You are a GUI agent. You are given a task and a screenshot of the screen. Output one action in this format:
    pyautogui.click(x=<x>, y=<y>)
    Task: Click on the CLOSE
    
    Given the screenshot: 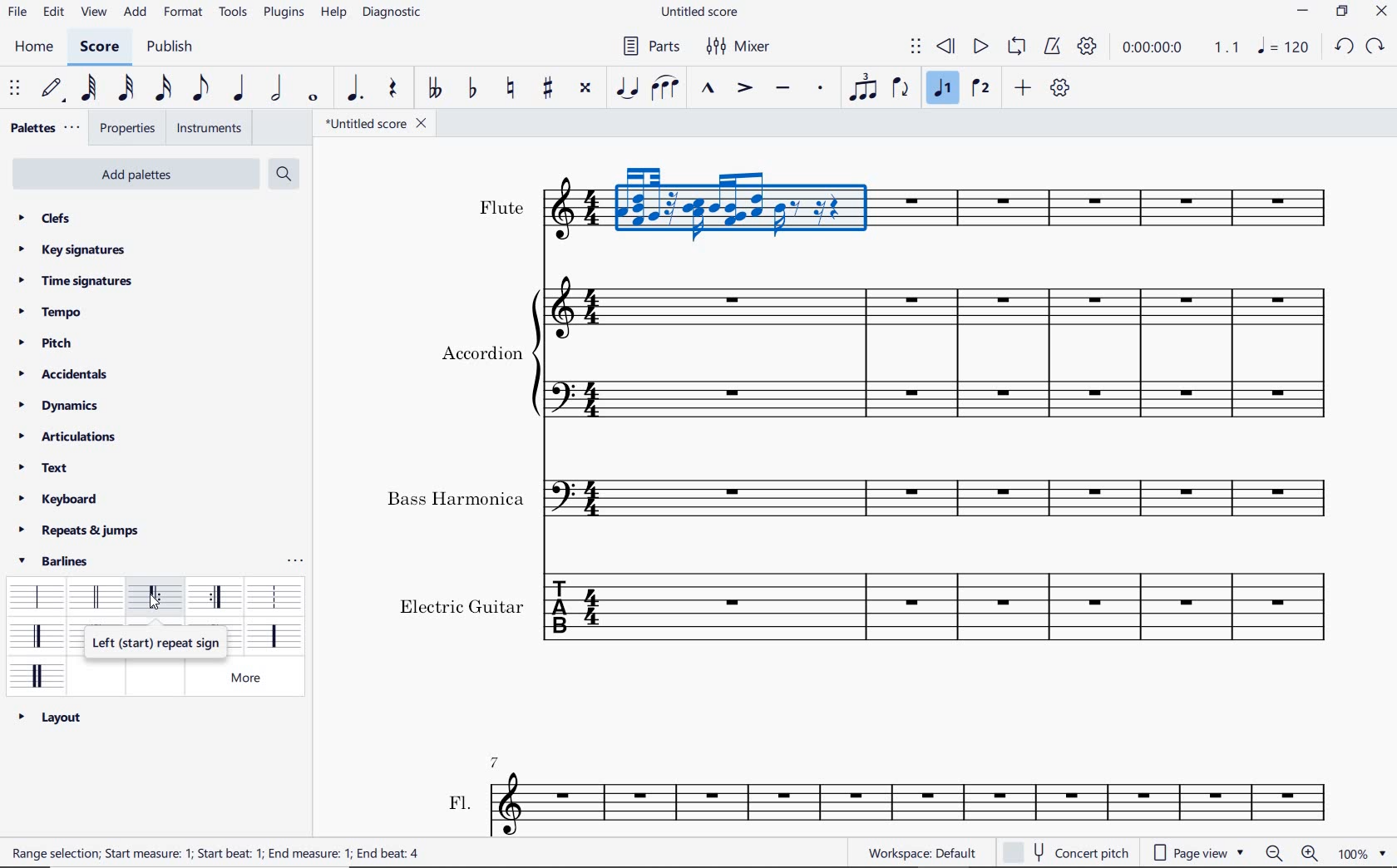 What is the action you would take?
    pyautogui.click(x=1382, y=11)
    